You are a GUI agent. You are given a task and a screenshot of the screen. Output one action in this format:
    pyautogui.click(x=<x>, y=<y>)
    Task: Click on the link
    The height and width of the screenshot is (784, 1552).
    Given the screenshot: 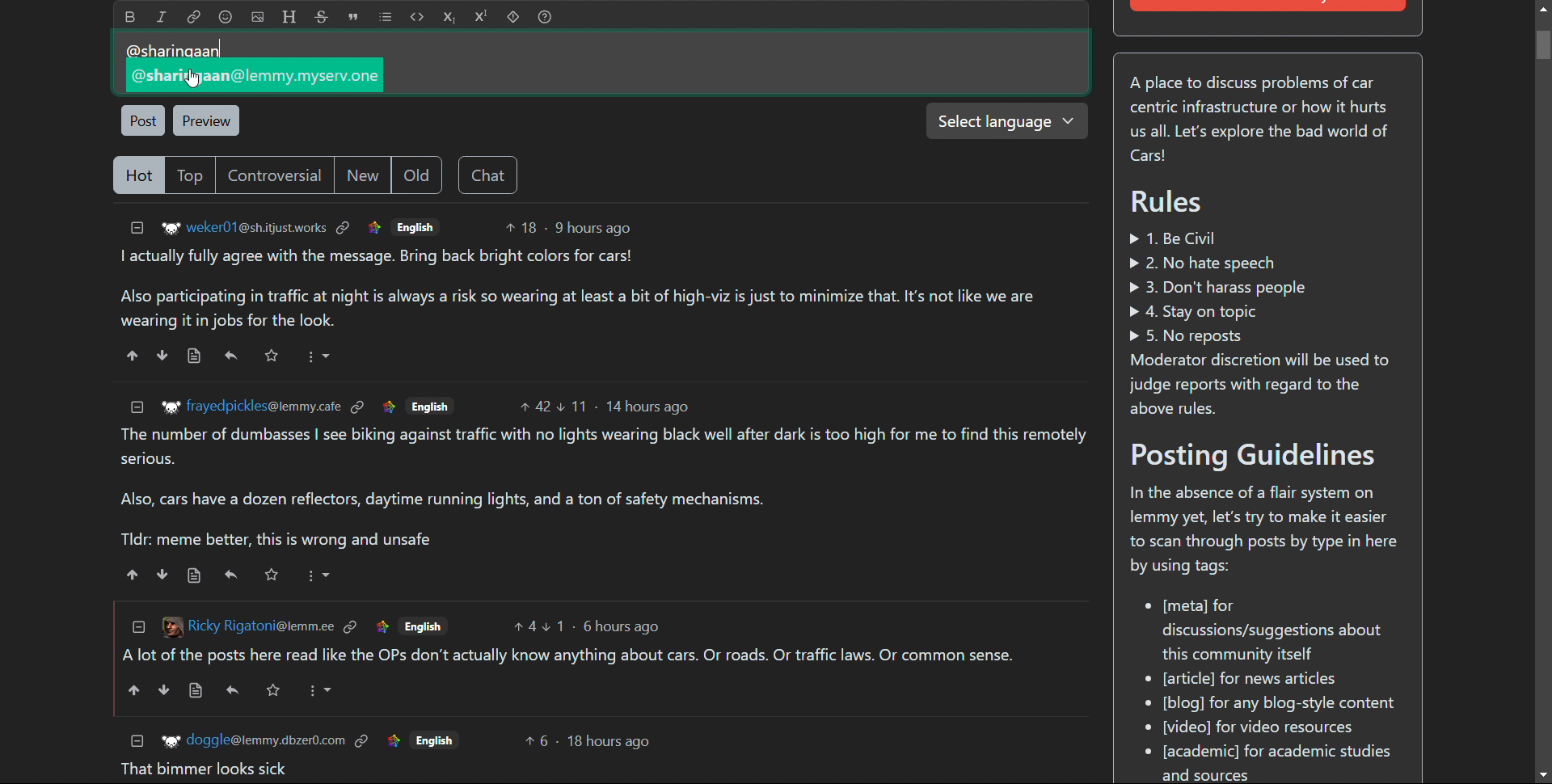 What is the action you would take?
    pyautogui.click(x=344, y=228)
    